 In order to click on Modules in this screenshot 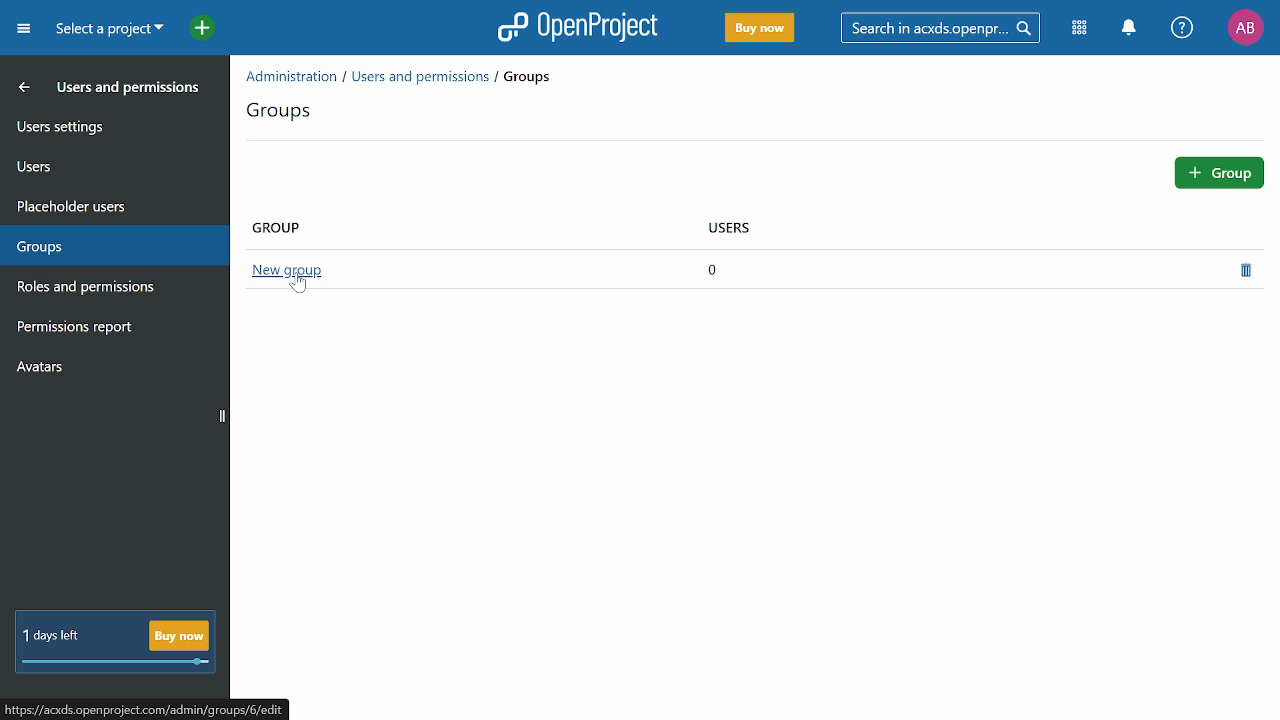, I will do `click(1082, 29)`.